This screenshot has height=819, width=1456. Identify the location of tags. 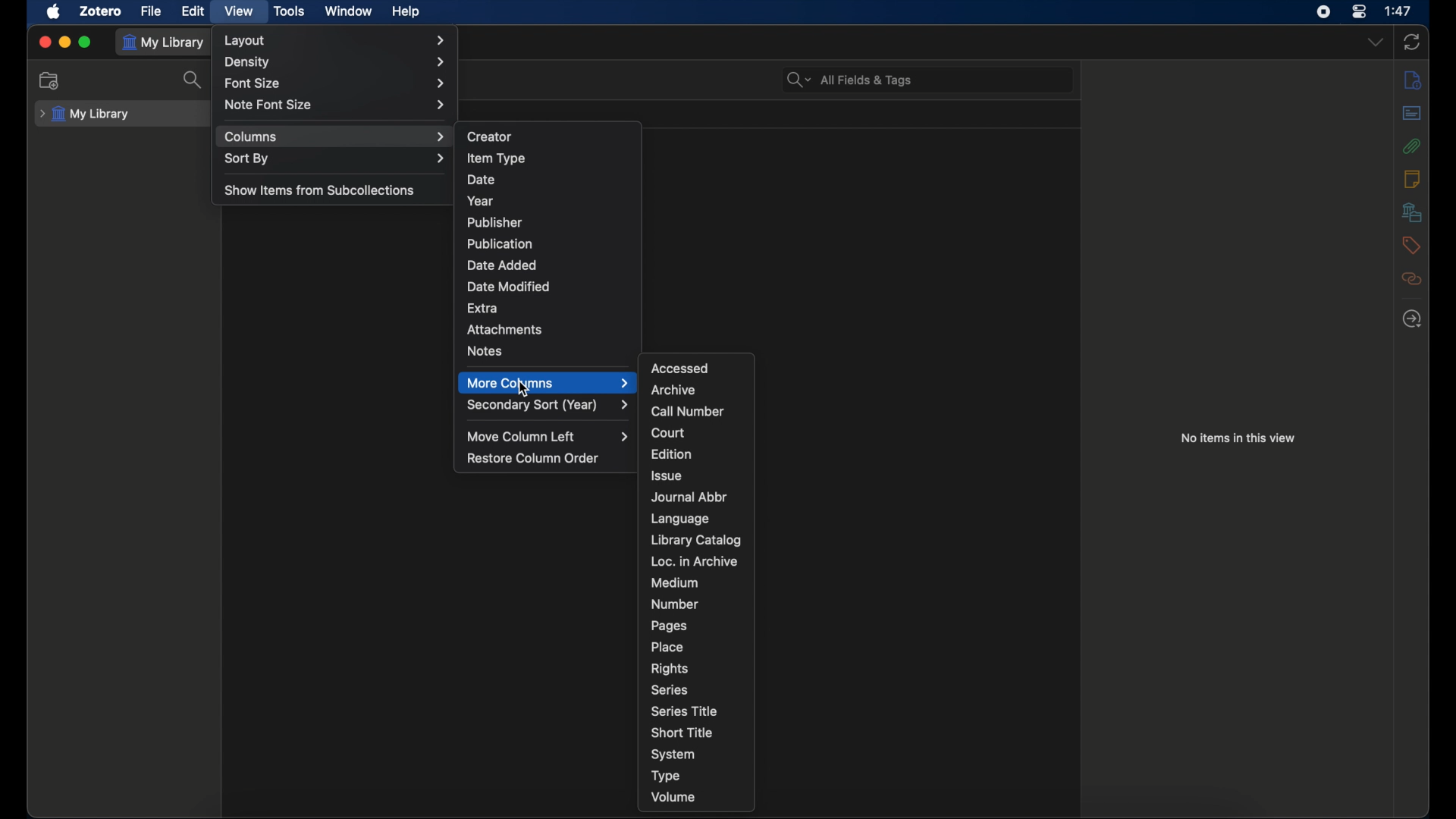
(1410, 244).